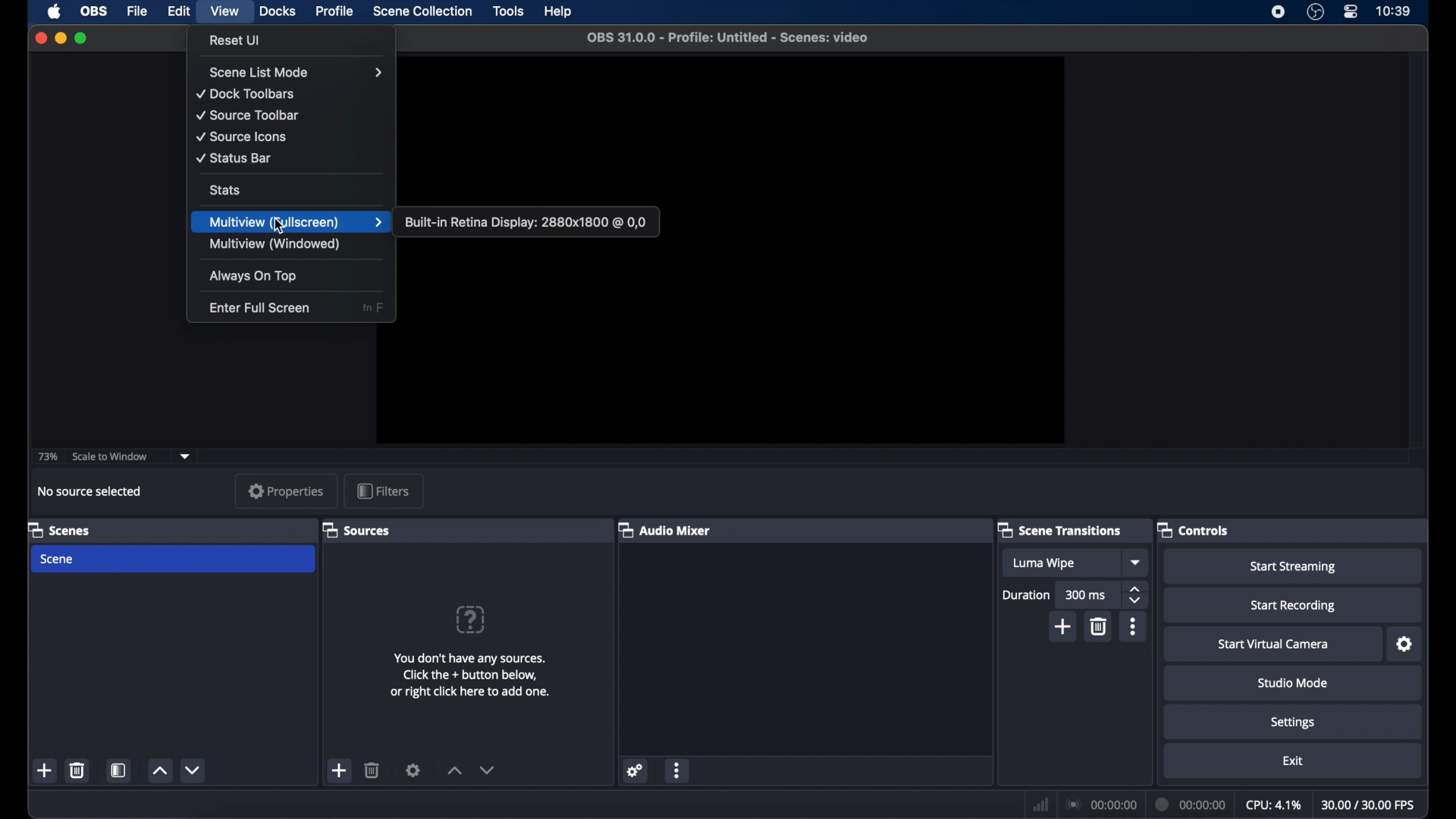  I want to click on obs, so click(94, 11).